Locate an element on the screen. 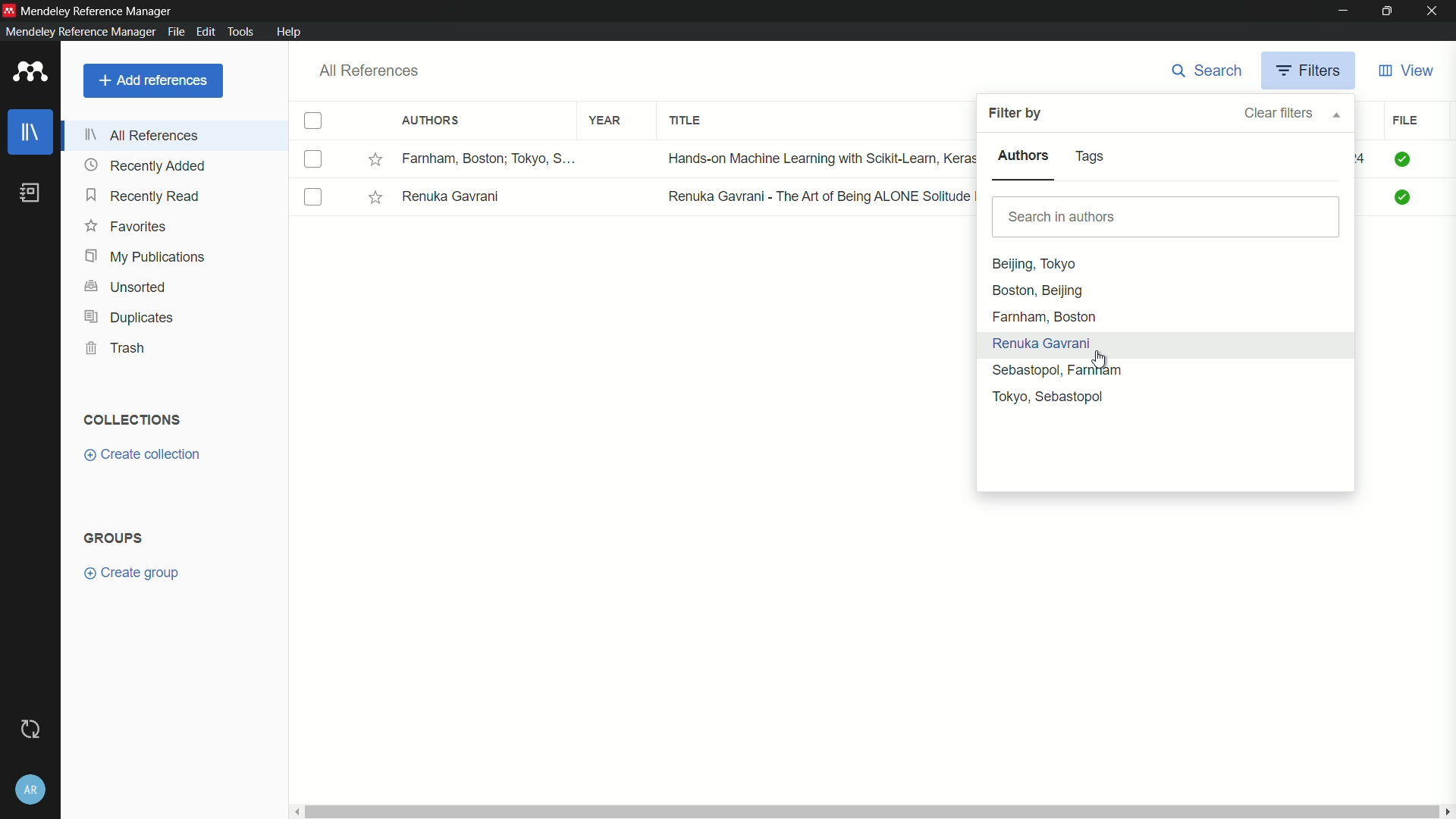  view is located at coordinates (1404, 71).